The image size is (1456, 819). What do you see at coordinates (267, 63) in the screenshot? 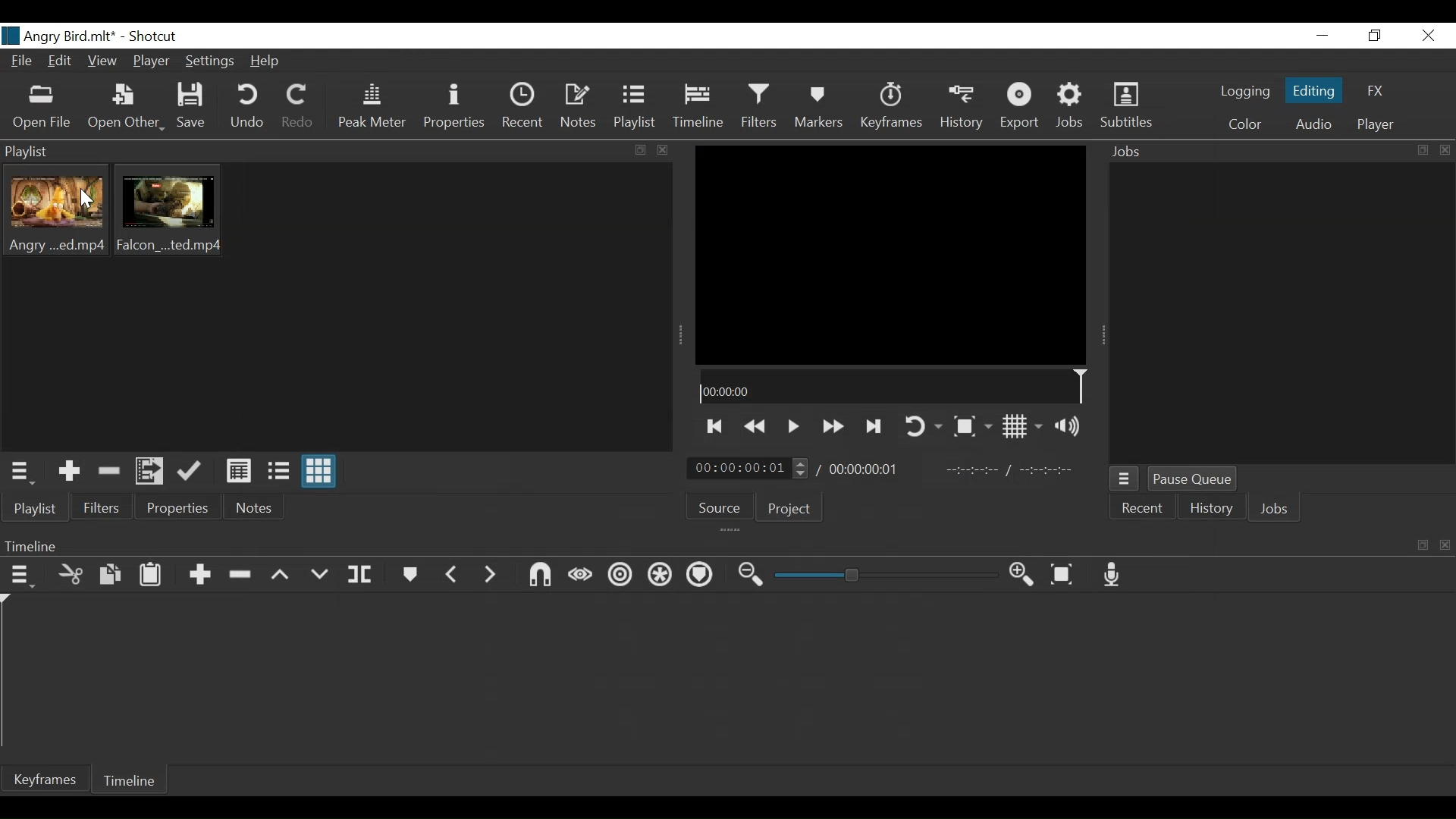
I see `Help` at bounding box center [267, 63].